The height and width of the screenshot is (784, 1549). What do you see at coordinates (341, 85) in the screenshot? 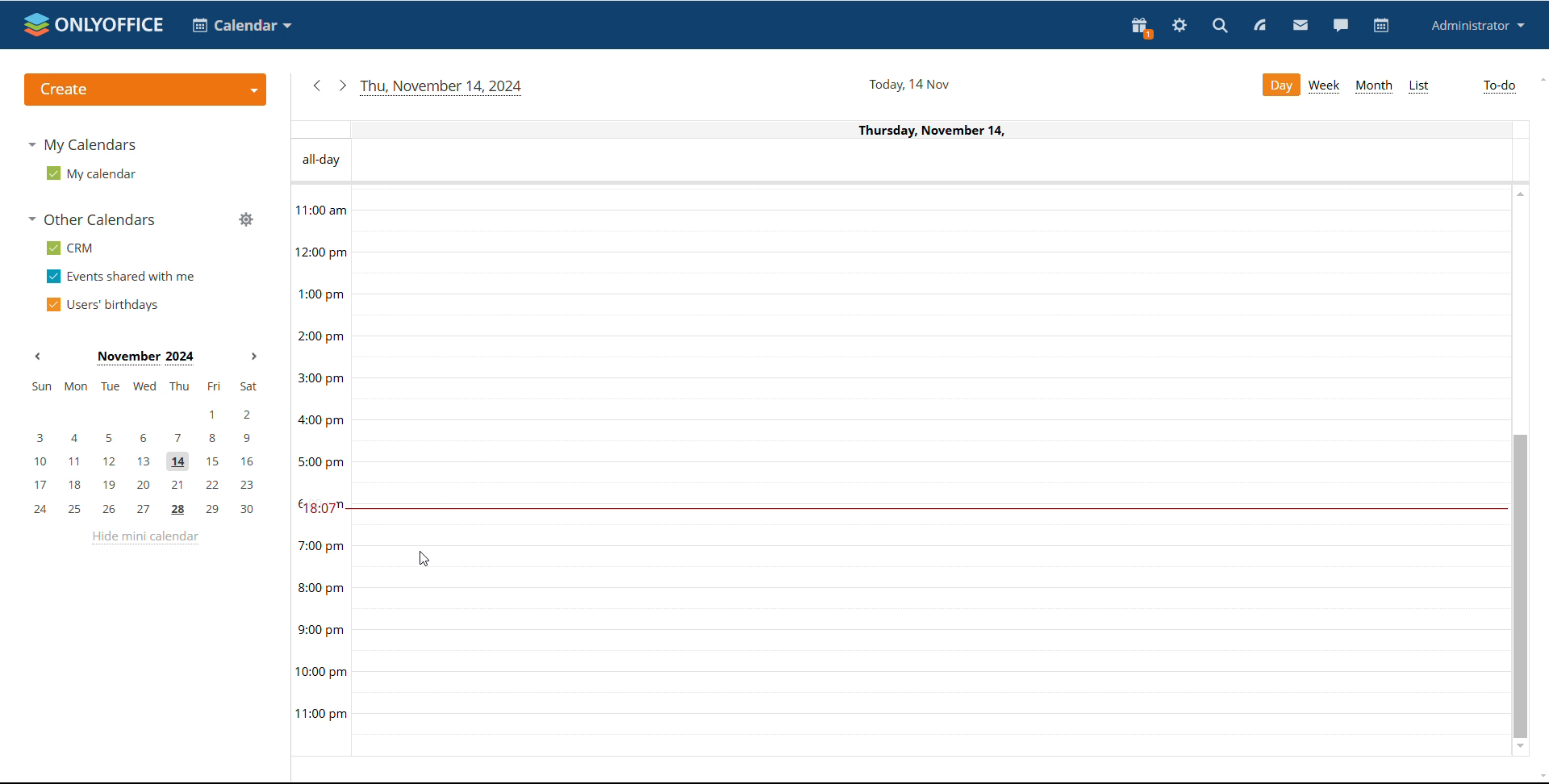
I see `next date` at bounding box center [341, 85].